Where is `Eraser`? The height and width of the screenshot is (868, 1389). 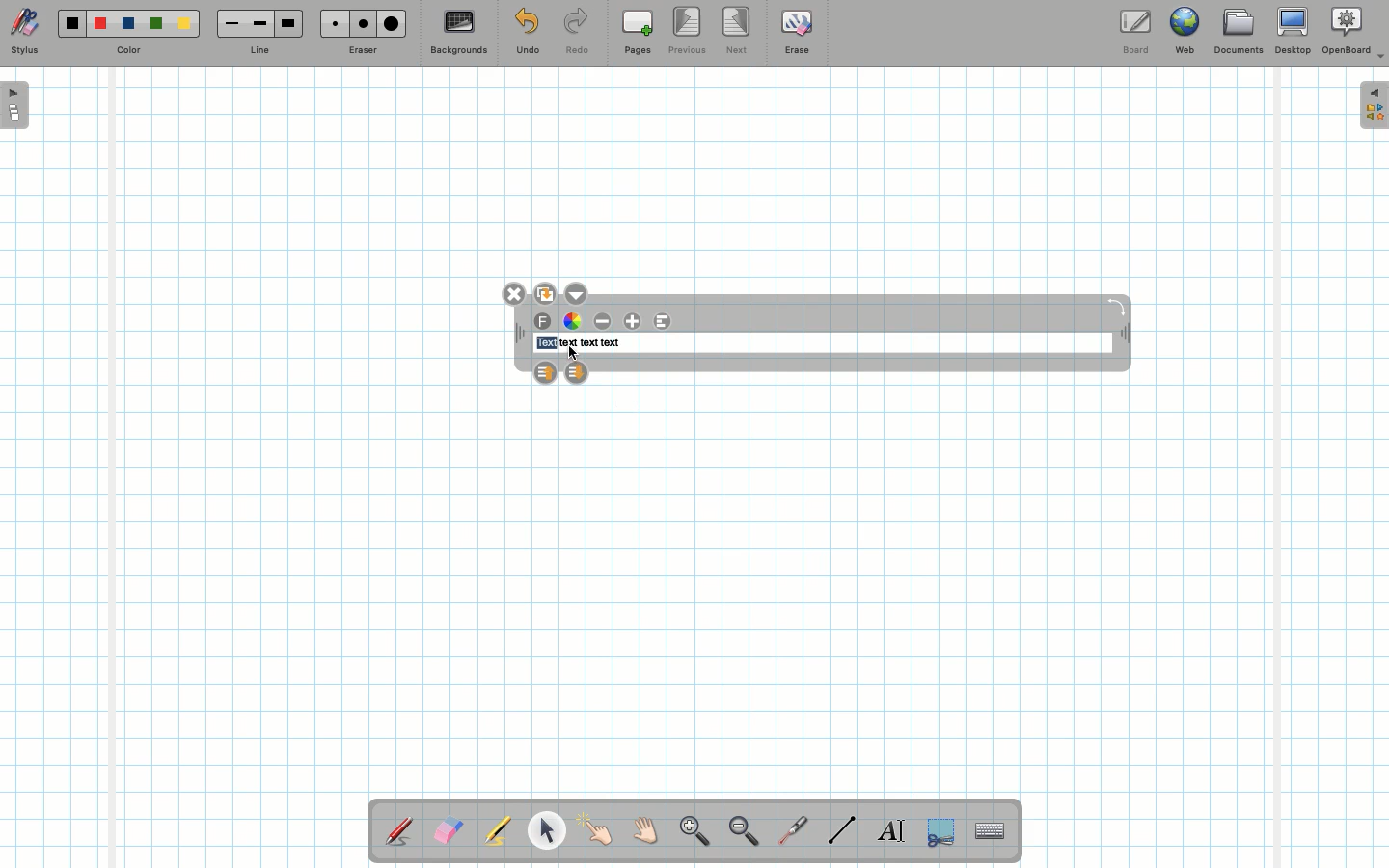 Eraser is located at coordinates (448, 832).